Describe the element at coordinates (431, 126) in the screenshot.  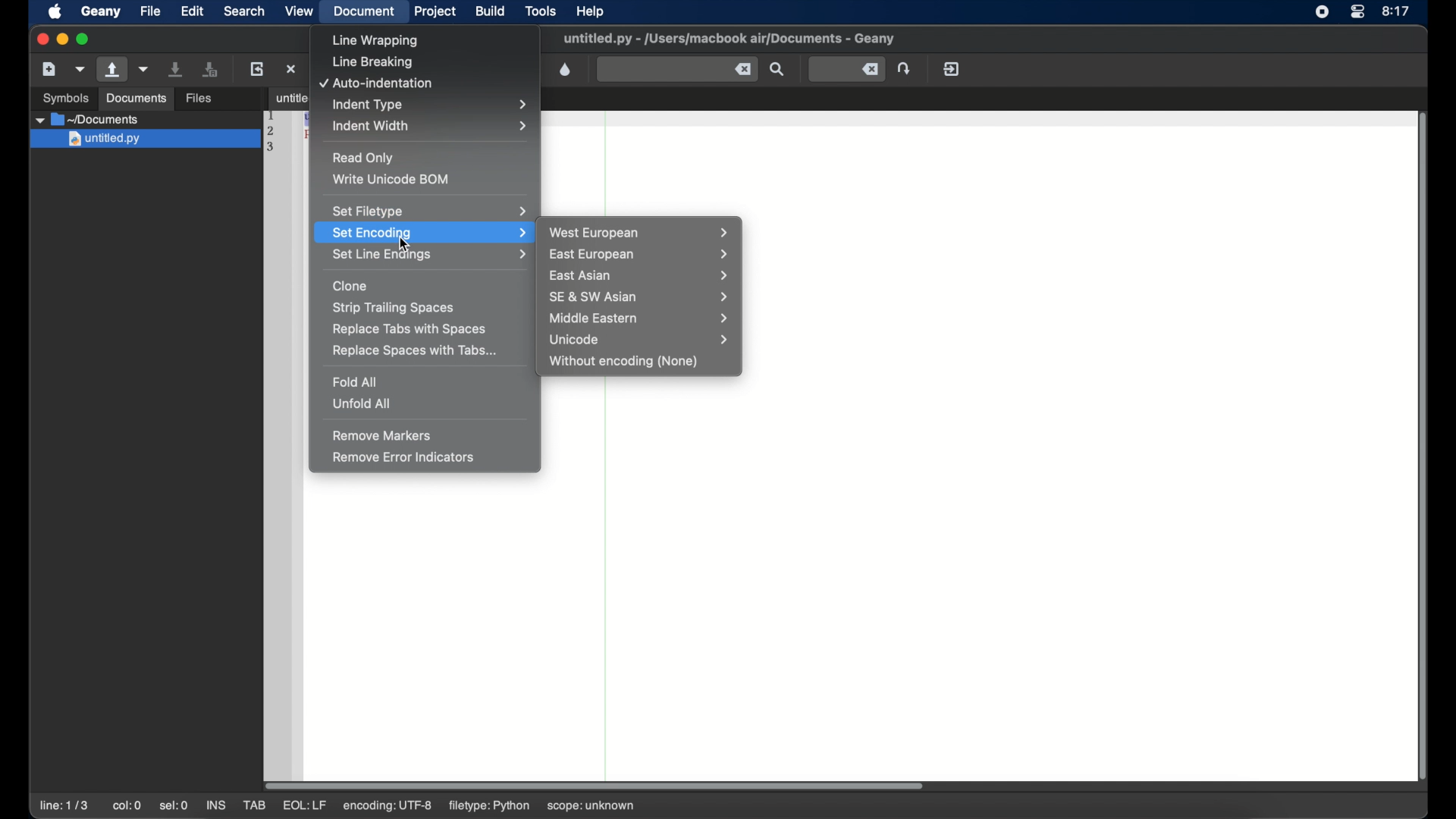
I see `indent width` at that location.